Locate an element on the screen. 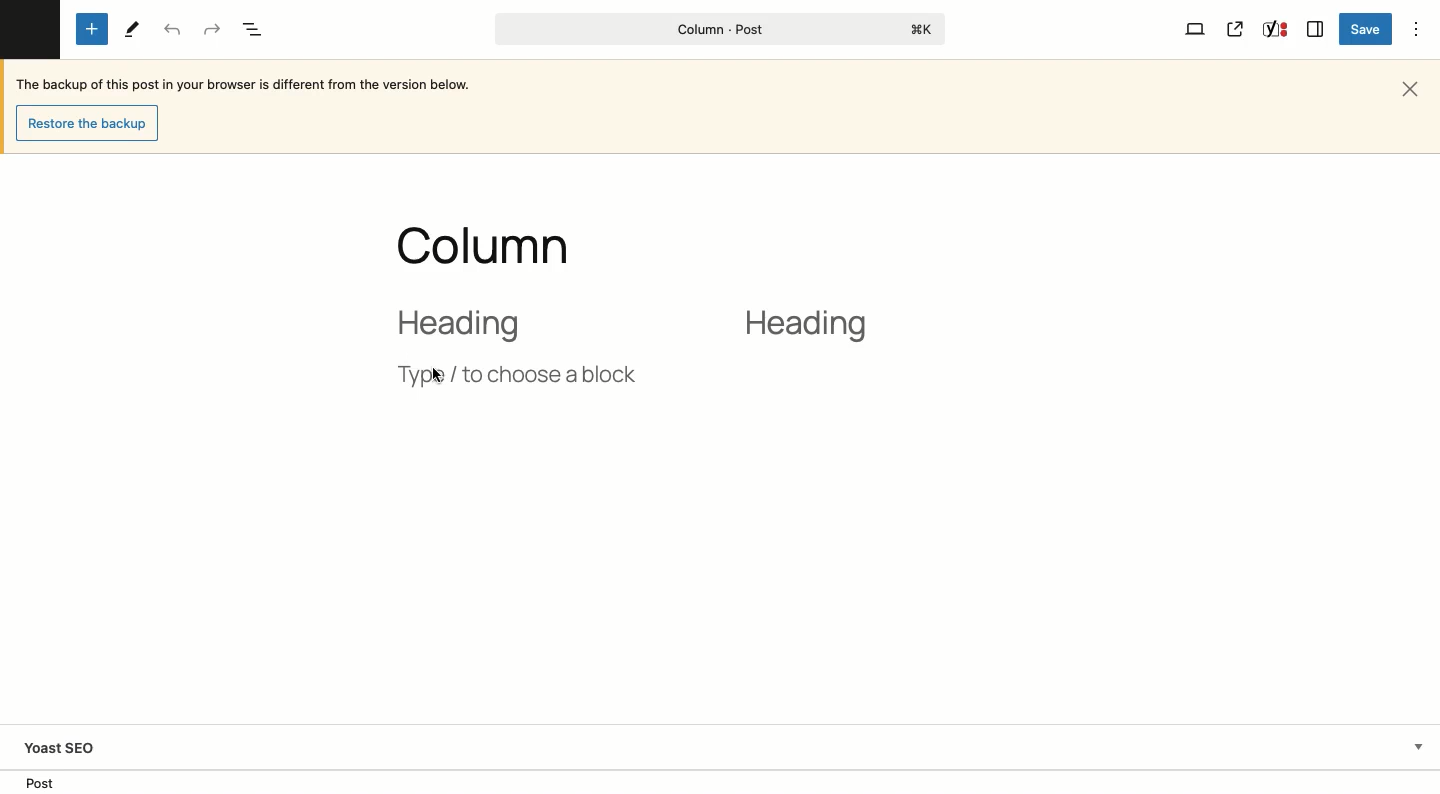 The width and height of the screenshot is (1440, 794). View is located at coordinates (1196, 28).